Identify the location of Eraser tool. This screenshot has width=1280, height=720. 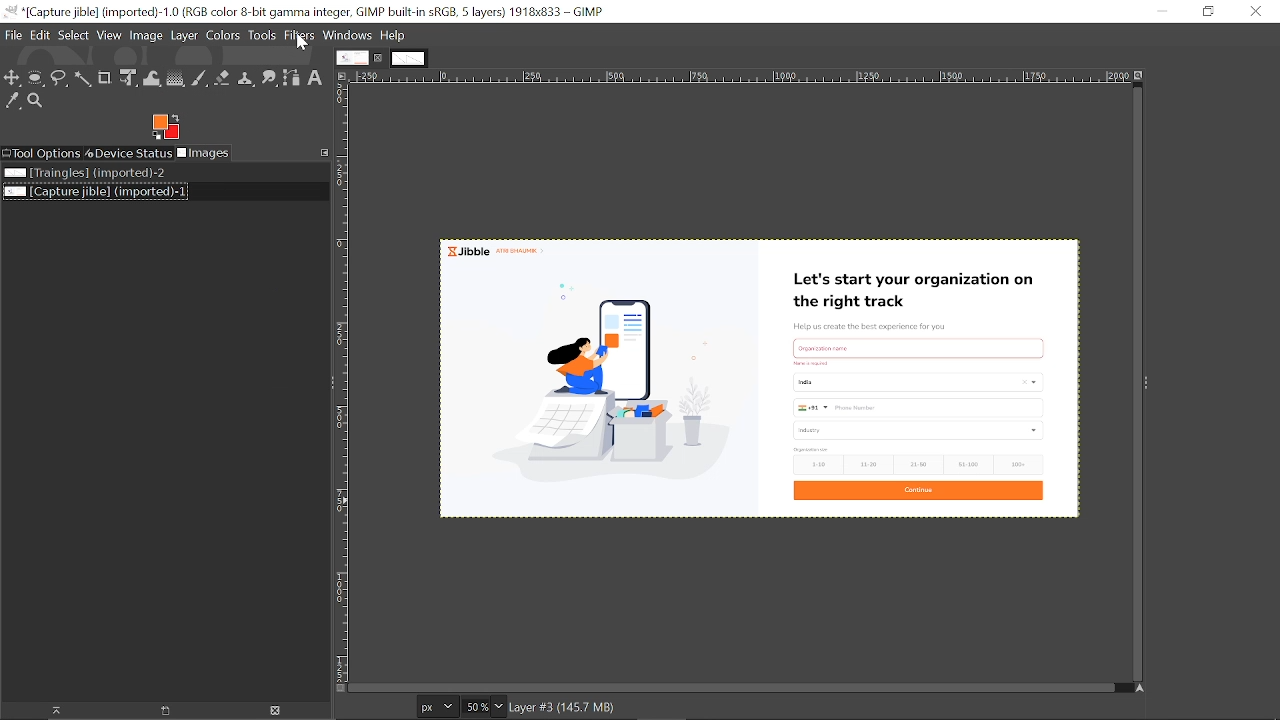
(222, 78).